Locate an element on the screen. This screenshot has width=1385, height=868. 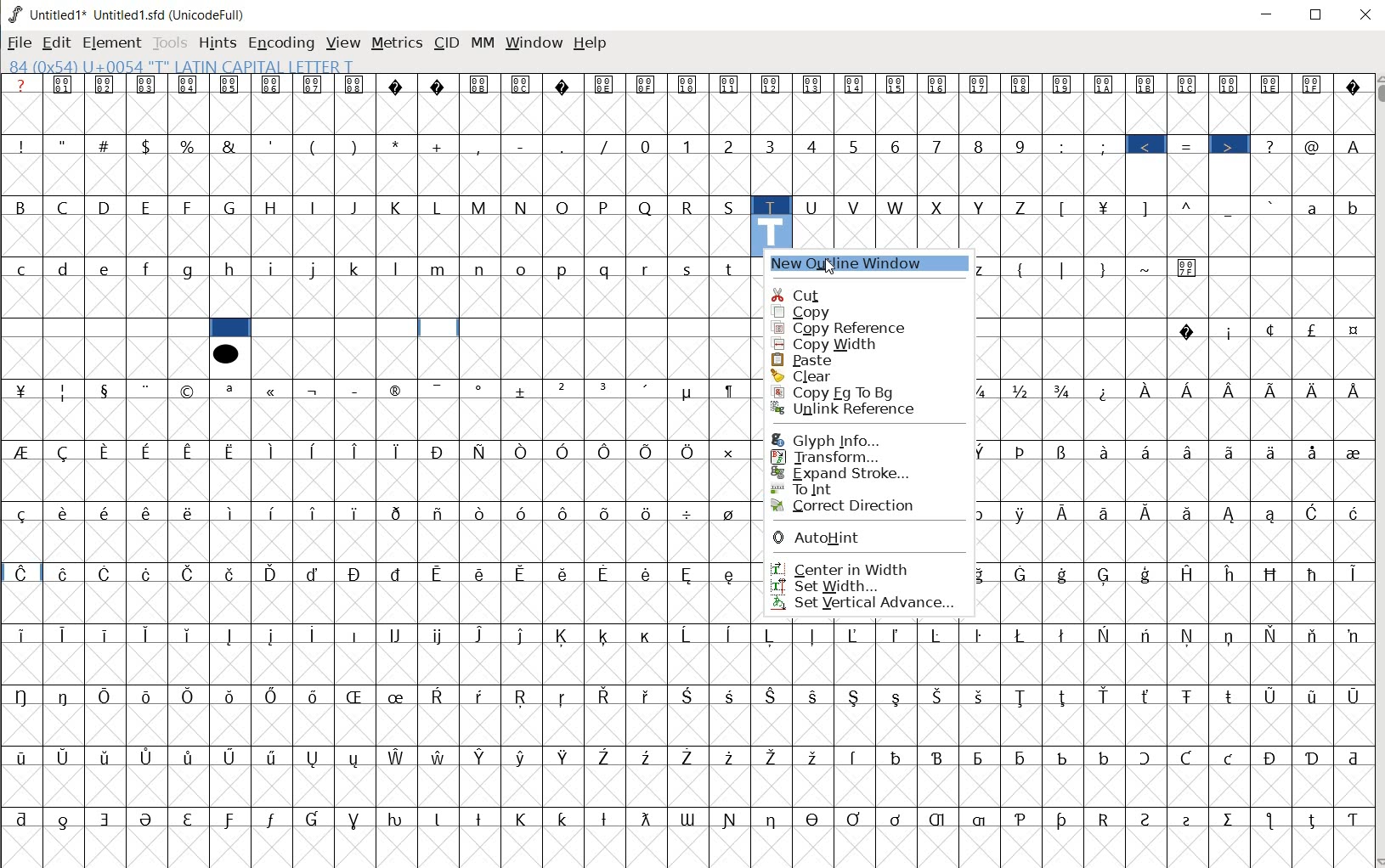
/ is located at coordinates (606, 146).